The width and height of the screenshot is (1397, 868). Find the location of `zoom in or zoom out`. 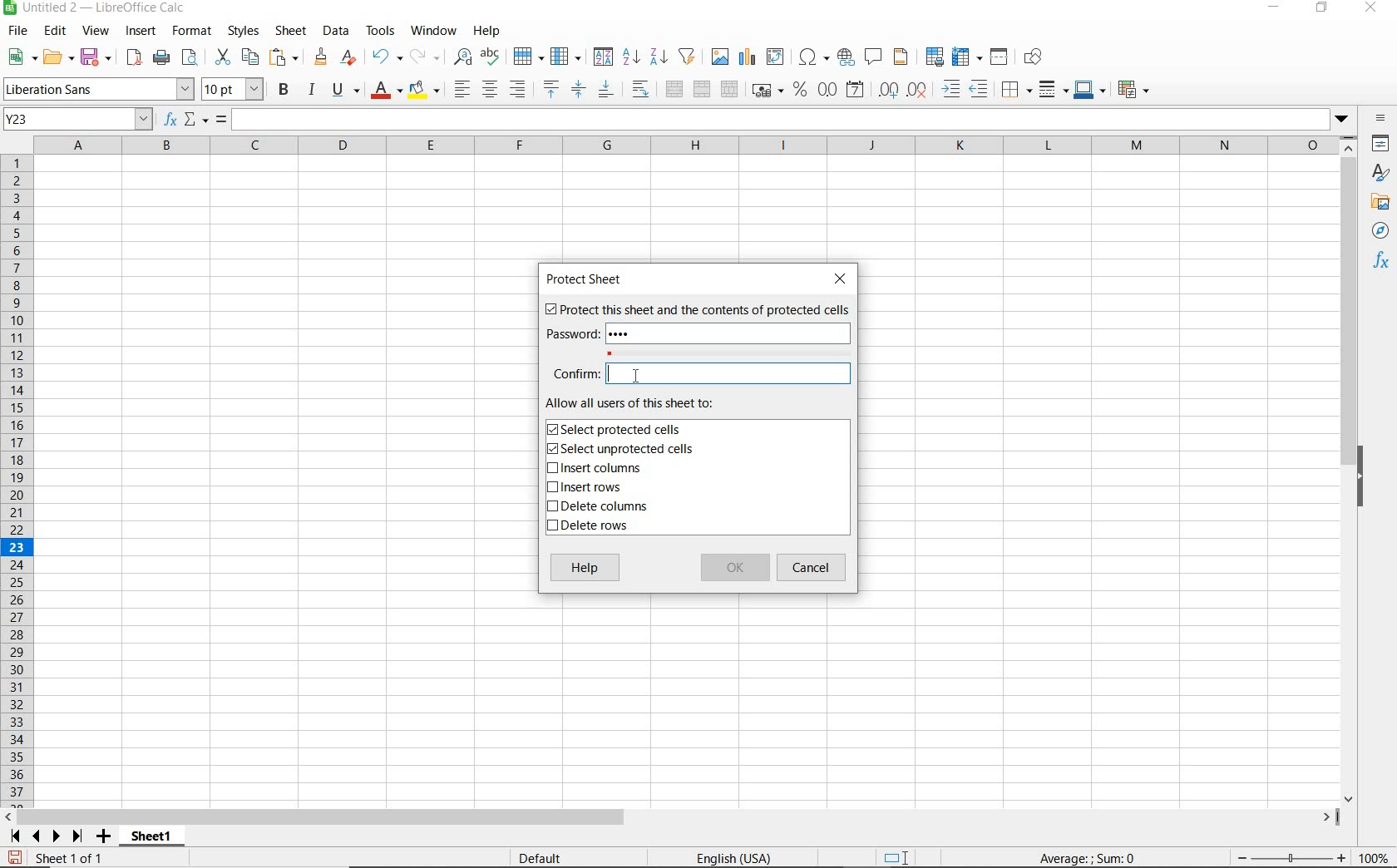

zoom in or zoom out is located at coordinates (1283, 856).